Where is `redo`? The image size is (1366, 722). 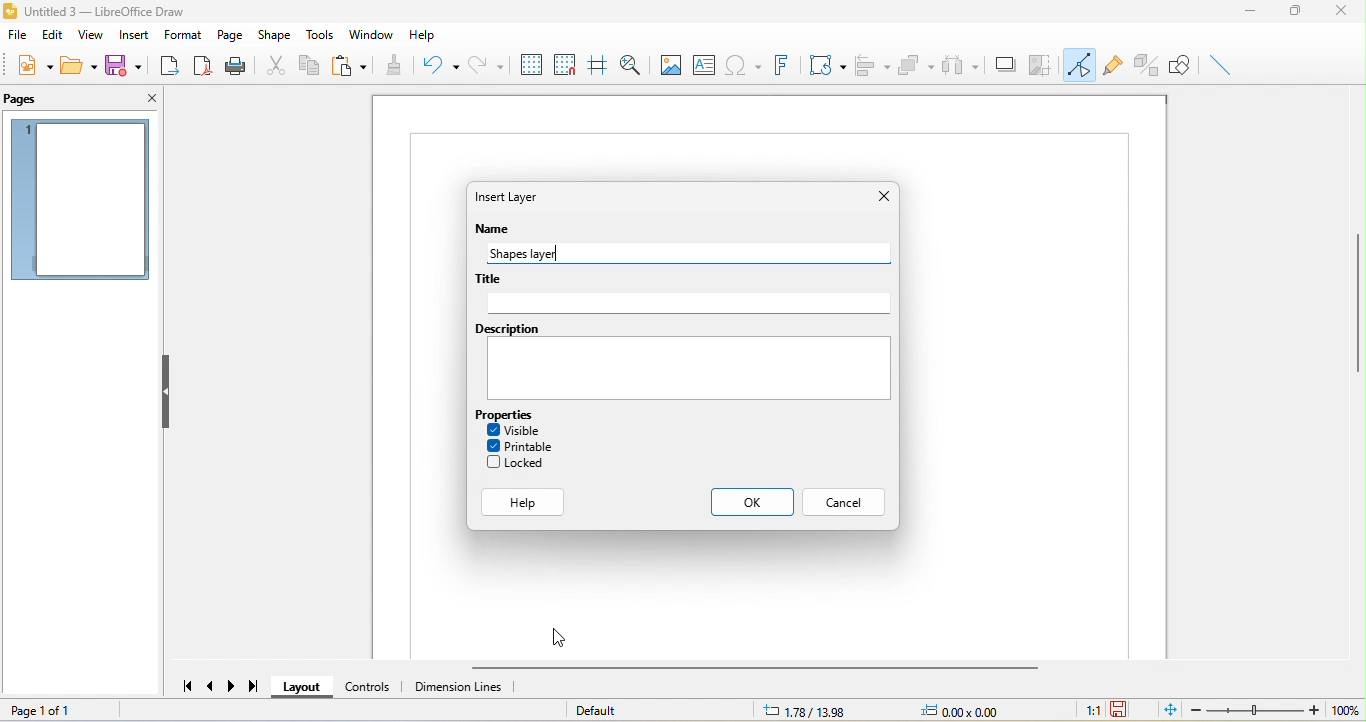
redo is located at coordinates (485, 63).